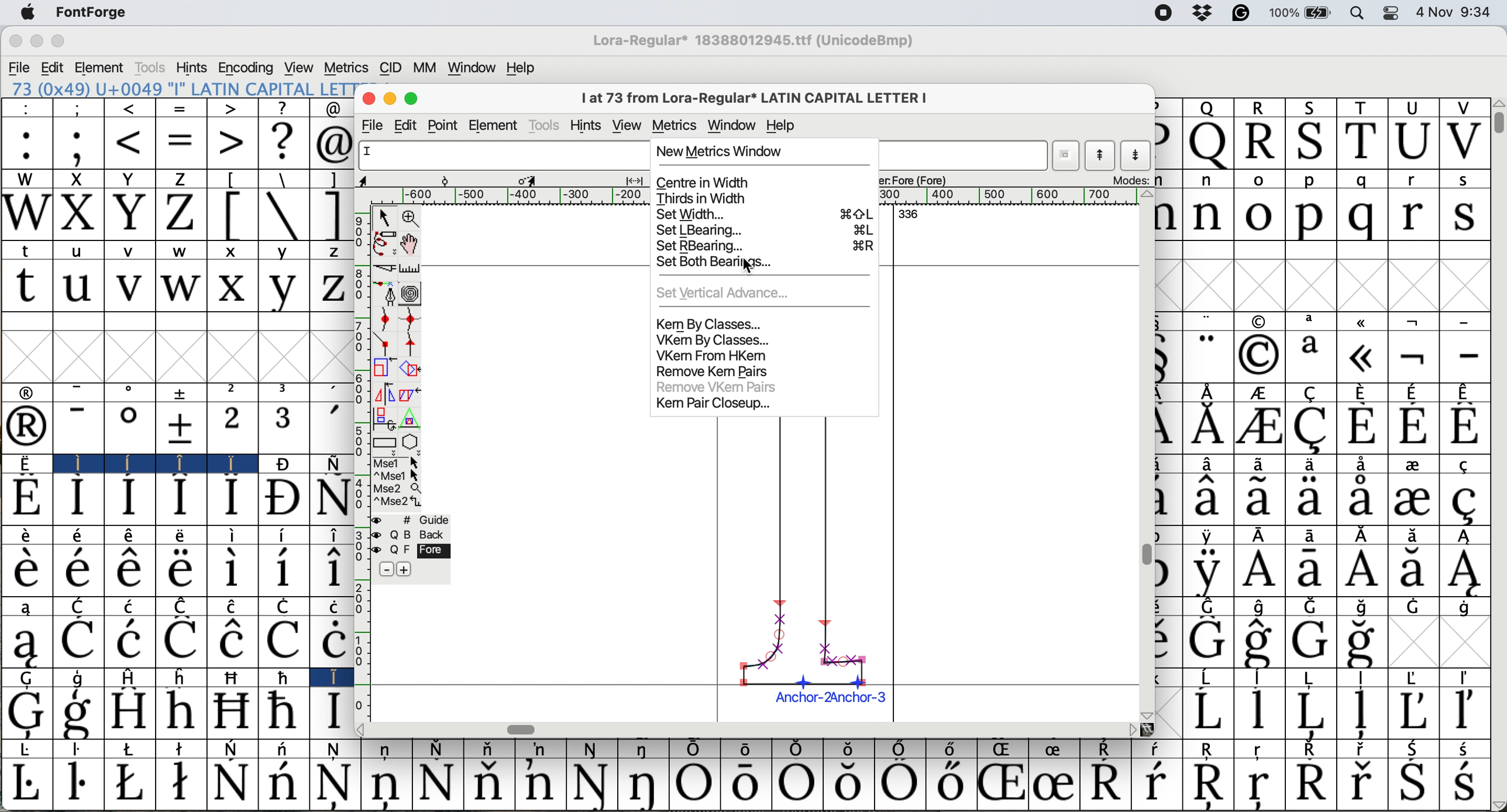 This screenshot has width=1507, height=812. Describe the element at coordinates (77, 569) in the screenshot. I see `Symbol` at that location.